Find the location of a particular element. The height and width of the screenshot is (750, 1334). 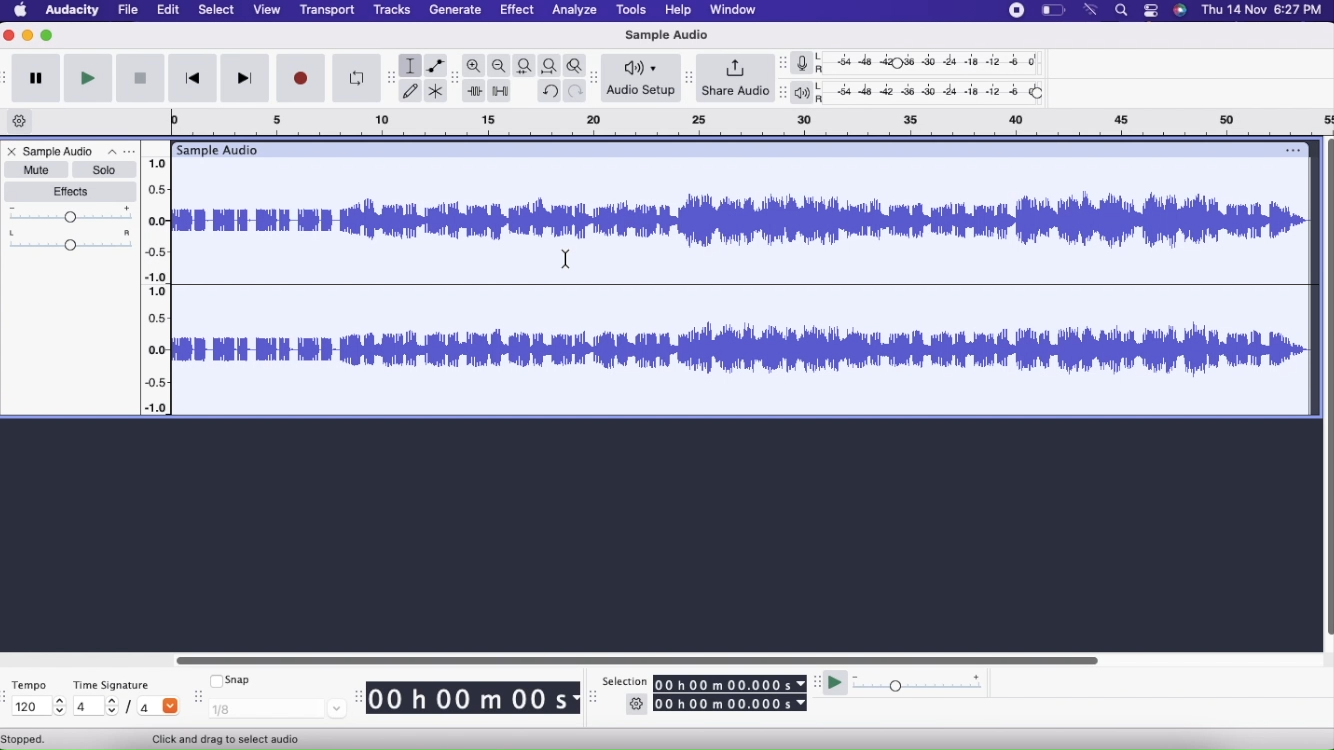

Tracks is located at coordinates (391, 10).